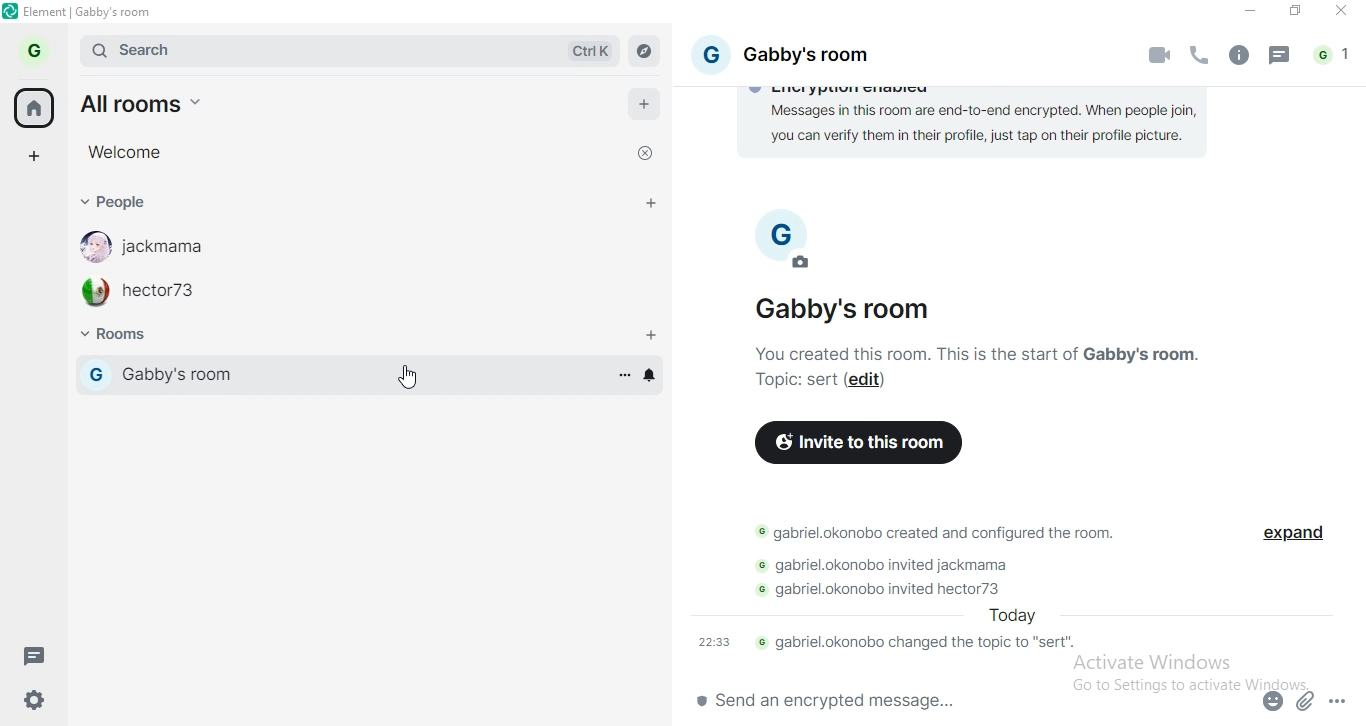 The image size is (1366, 726). Describe the element at coordinates (803, 264) in the screenshot. I see `edit` at that location.